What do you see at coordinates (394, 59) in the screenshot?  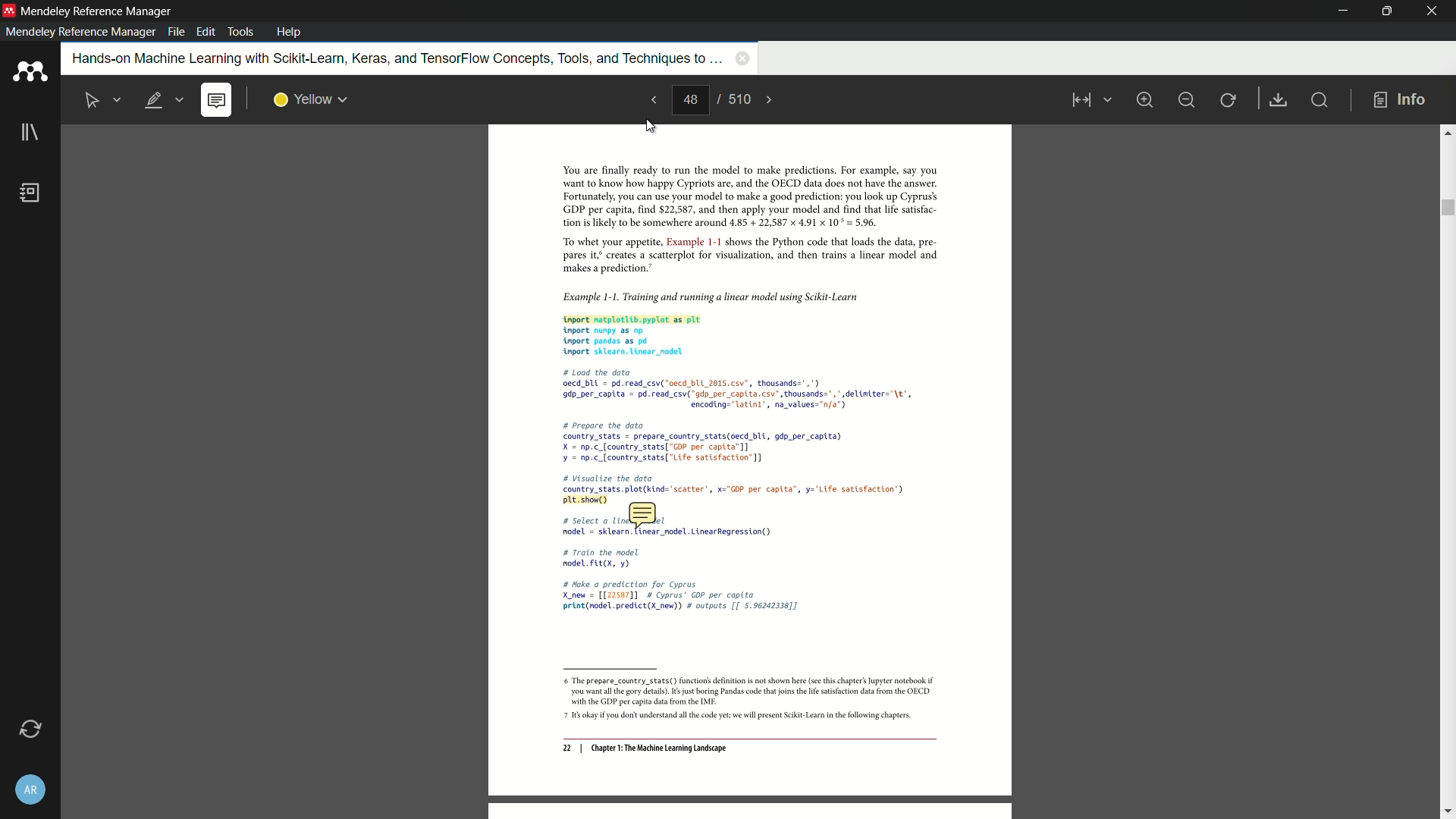 I see `book name` at bounding box center [394, 59].